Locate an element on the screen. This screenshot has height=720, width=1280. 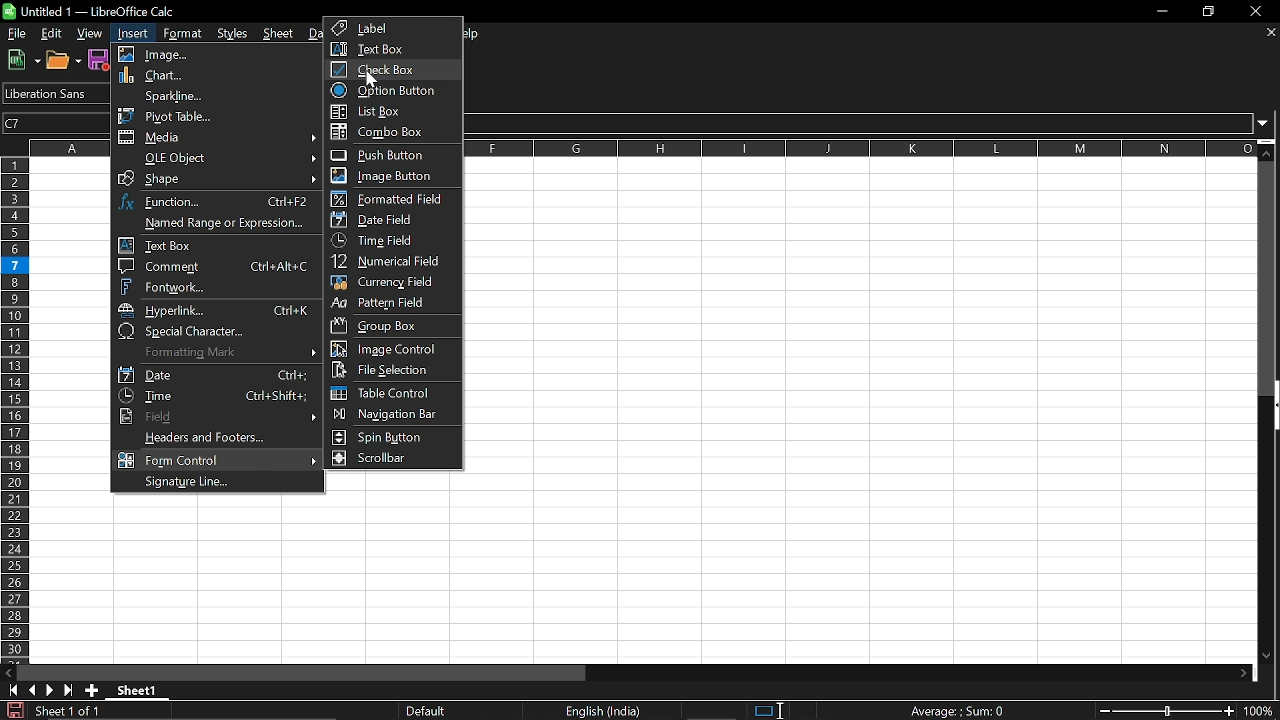
Current zoom is located at coordinates (1262, 711).